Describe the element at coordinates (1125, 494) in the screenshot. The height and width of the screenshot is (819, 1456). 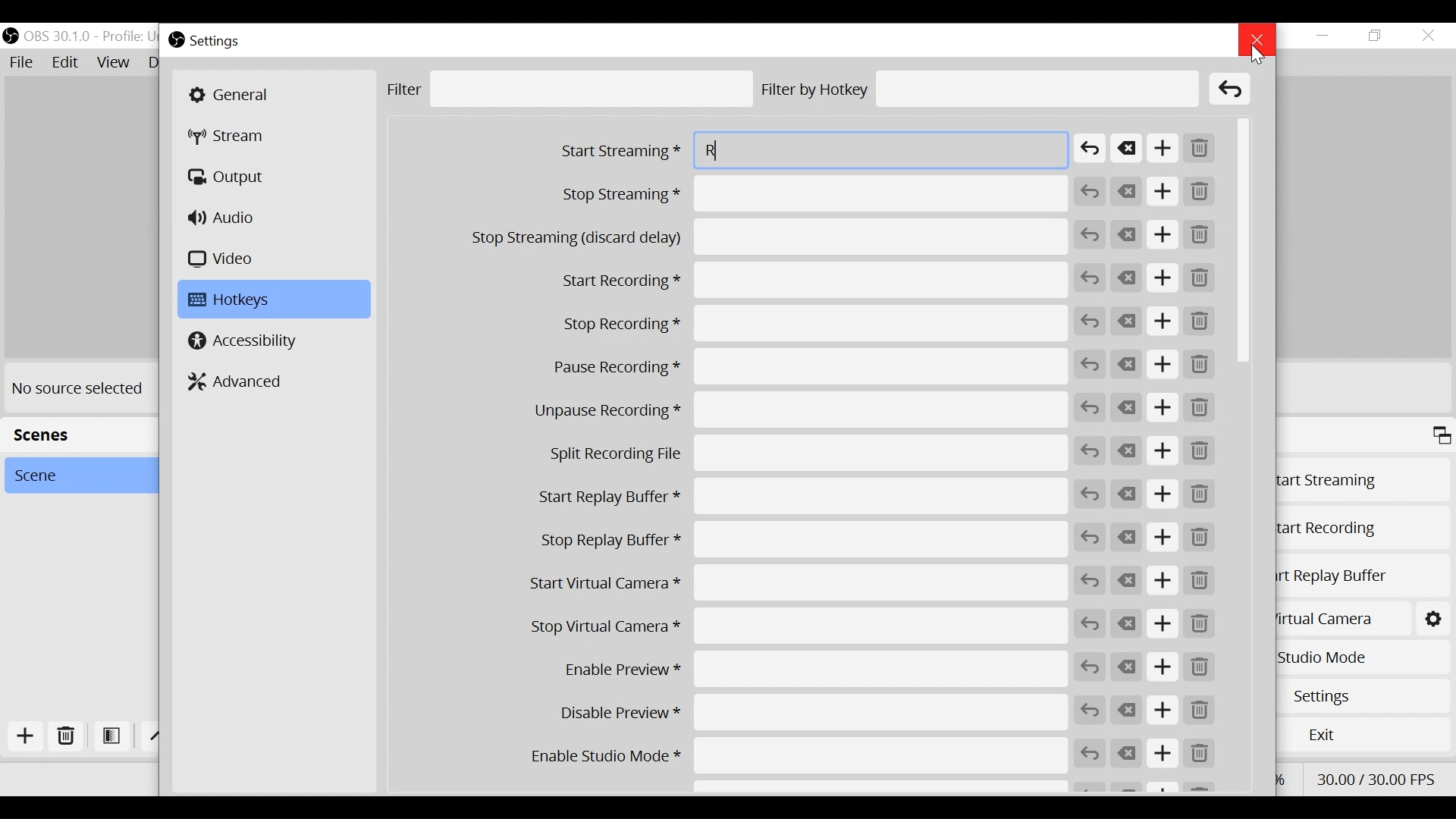
I see `Clear` at that location.